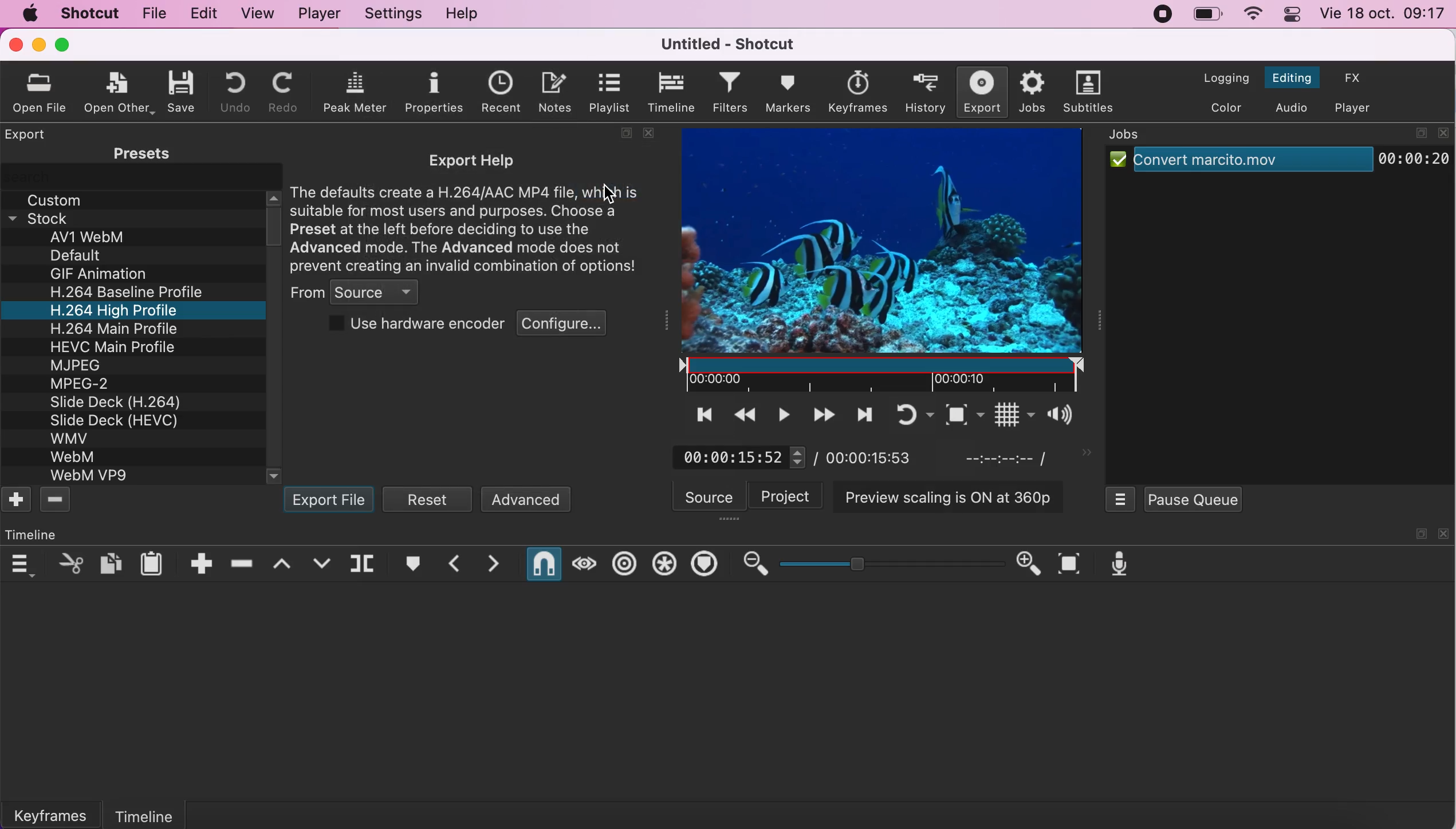  I want to click on skip to the next point, so click(863, 414).